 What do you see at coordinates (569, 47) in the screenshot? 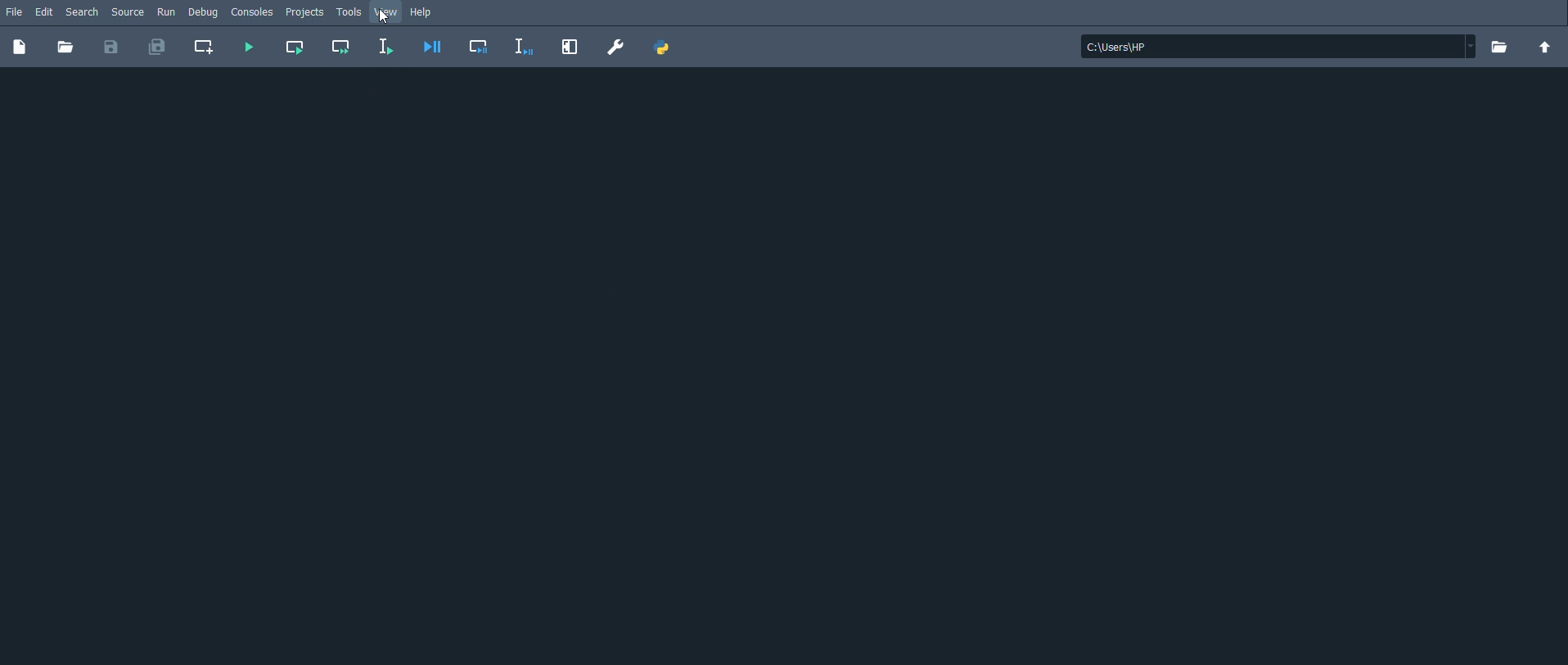
I see `Maximize current pane` at bounding box center [569, 47].